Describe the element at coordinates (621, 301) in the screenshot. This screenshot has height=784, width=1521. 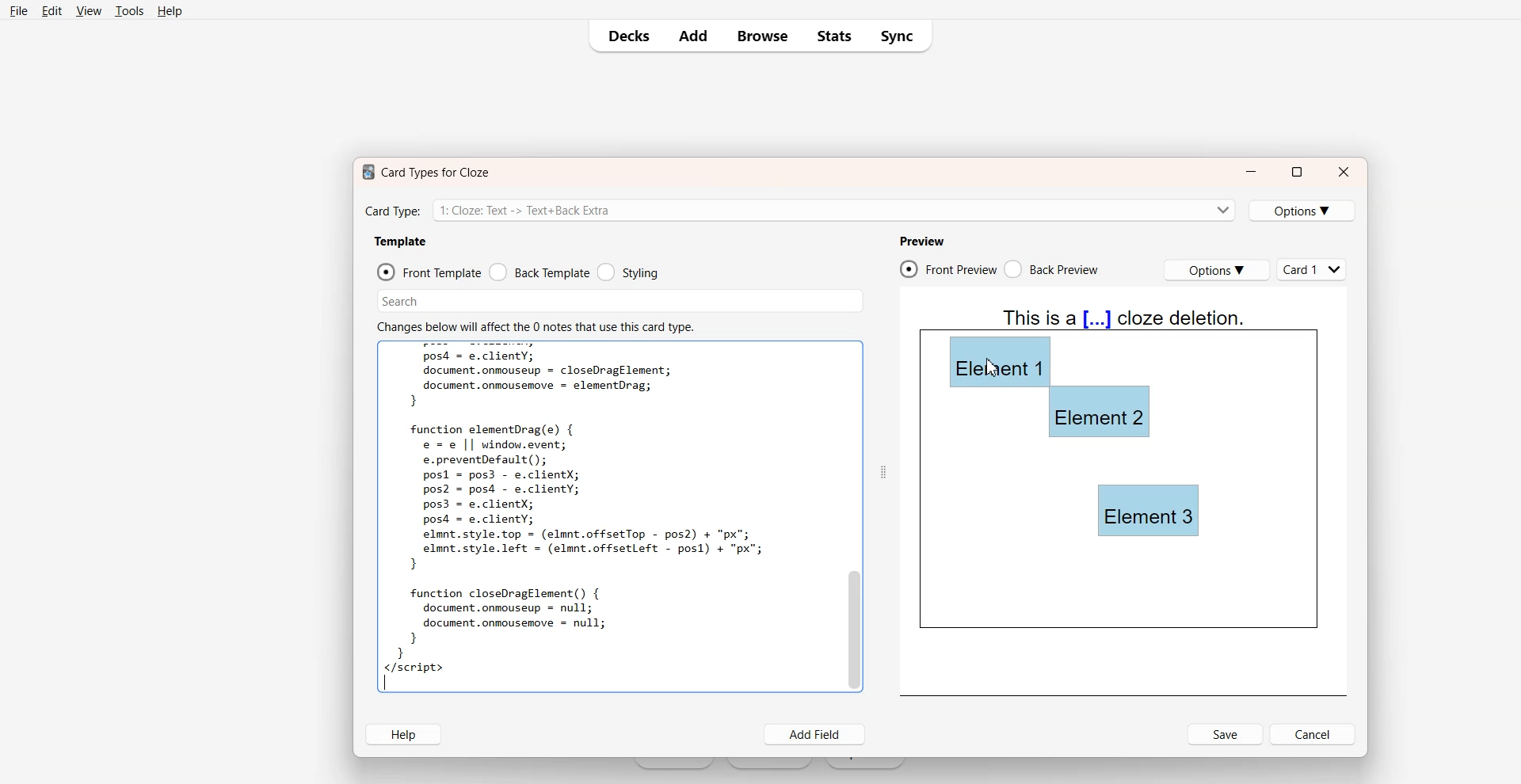
I see `Search` at that location.